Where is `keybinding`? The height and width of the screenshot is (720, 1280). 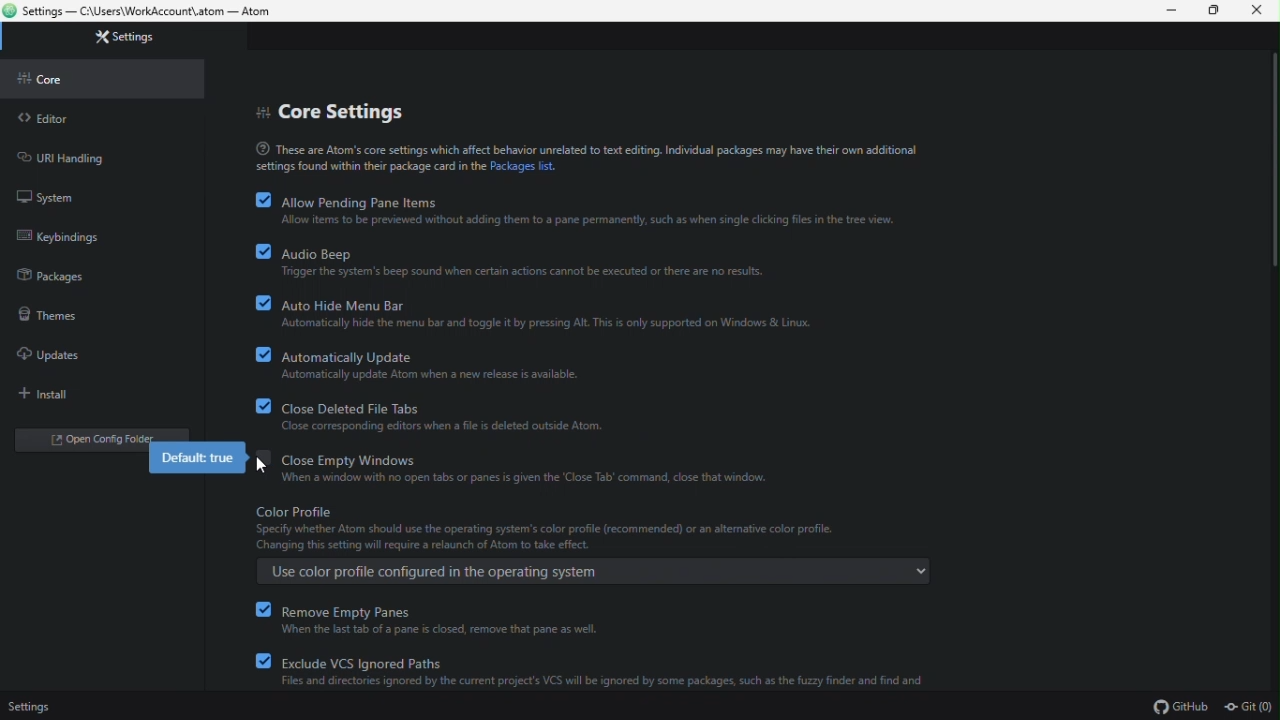 keybinding is located at coordinates (92, 238).